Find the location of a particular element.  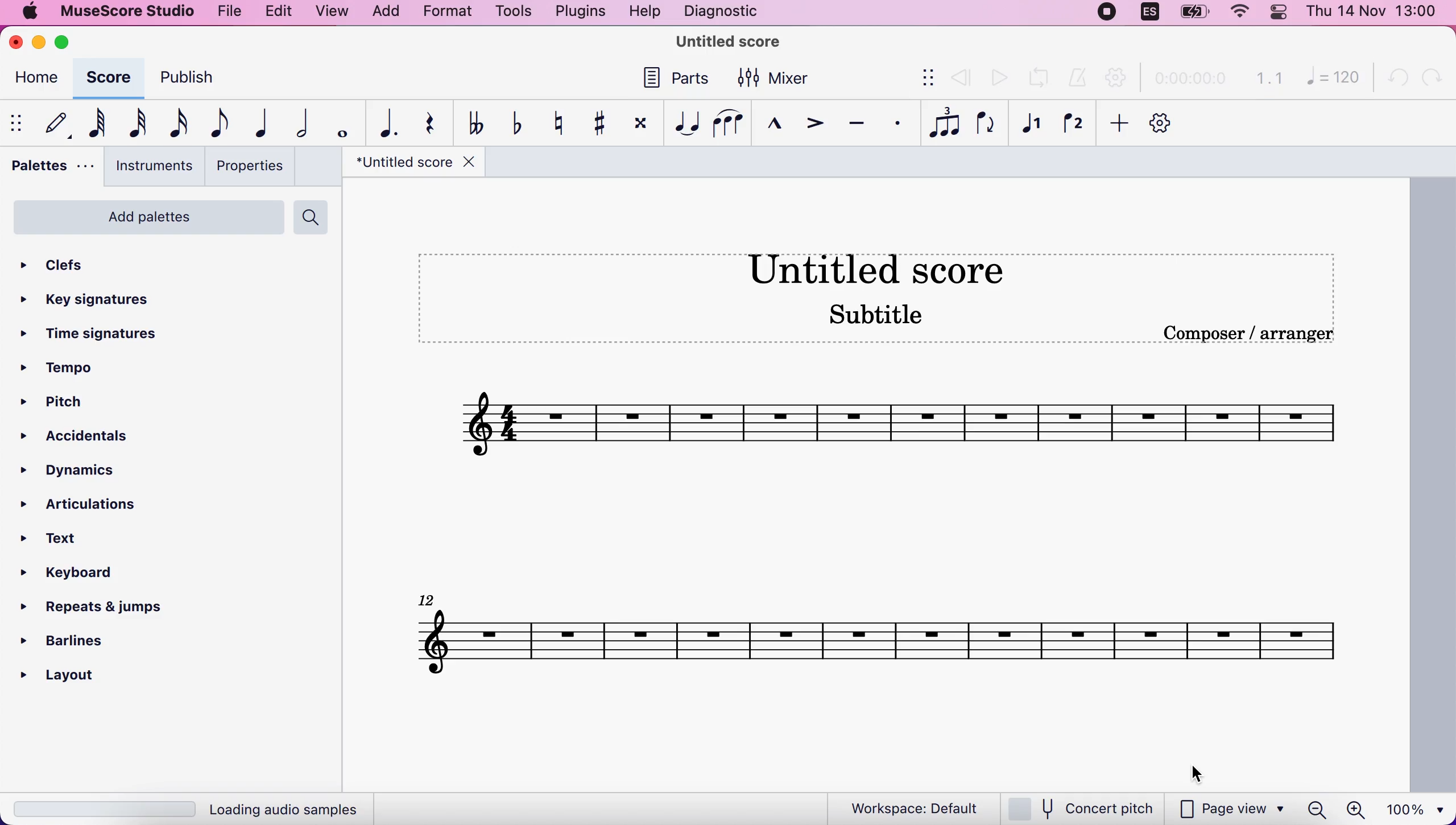

flip direction is located at coordinates (985, 126).